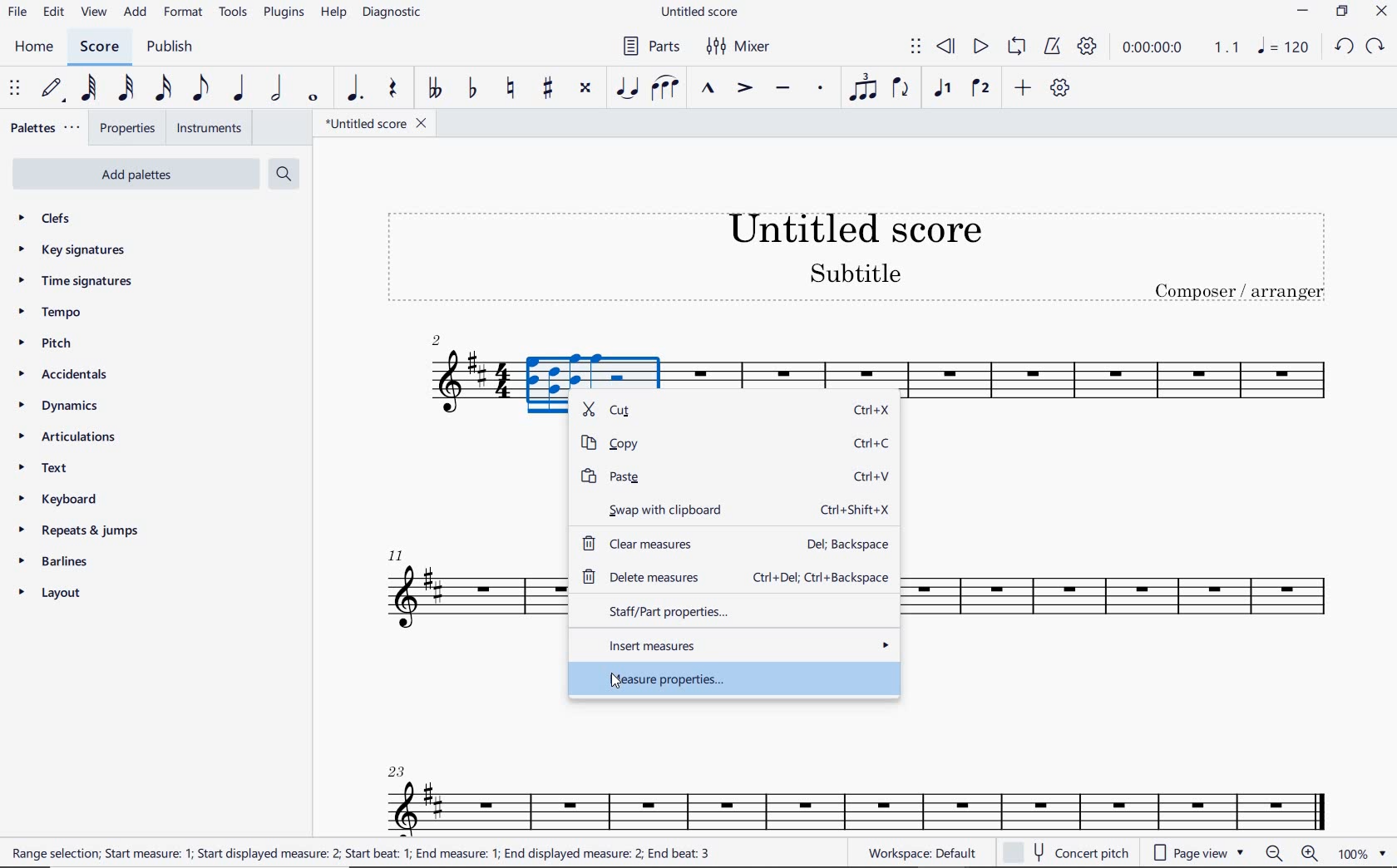 The height and width of the screenshot is (868, 1397). What do you see at coordinates (1126, 592) in the screenshot?
I see `INSTRUMENT: TENOR SAXOPHONE` at bounding box center [1126, 592].